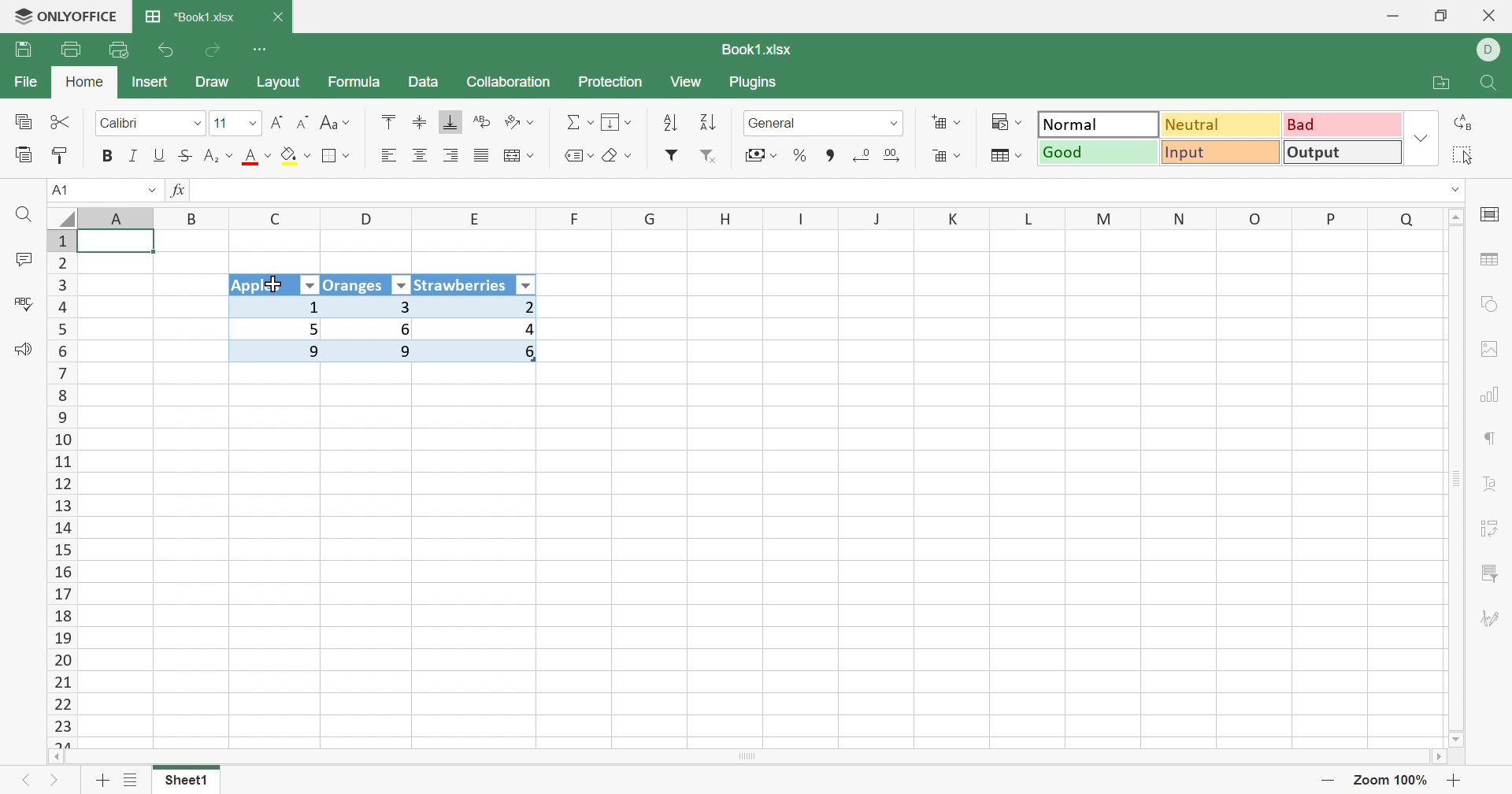  I want to click on Check spelling, so click(21, 304).